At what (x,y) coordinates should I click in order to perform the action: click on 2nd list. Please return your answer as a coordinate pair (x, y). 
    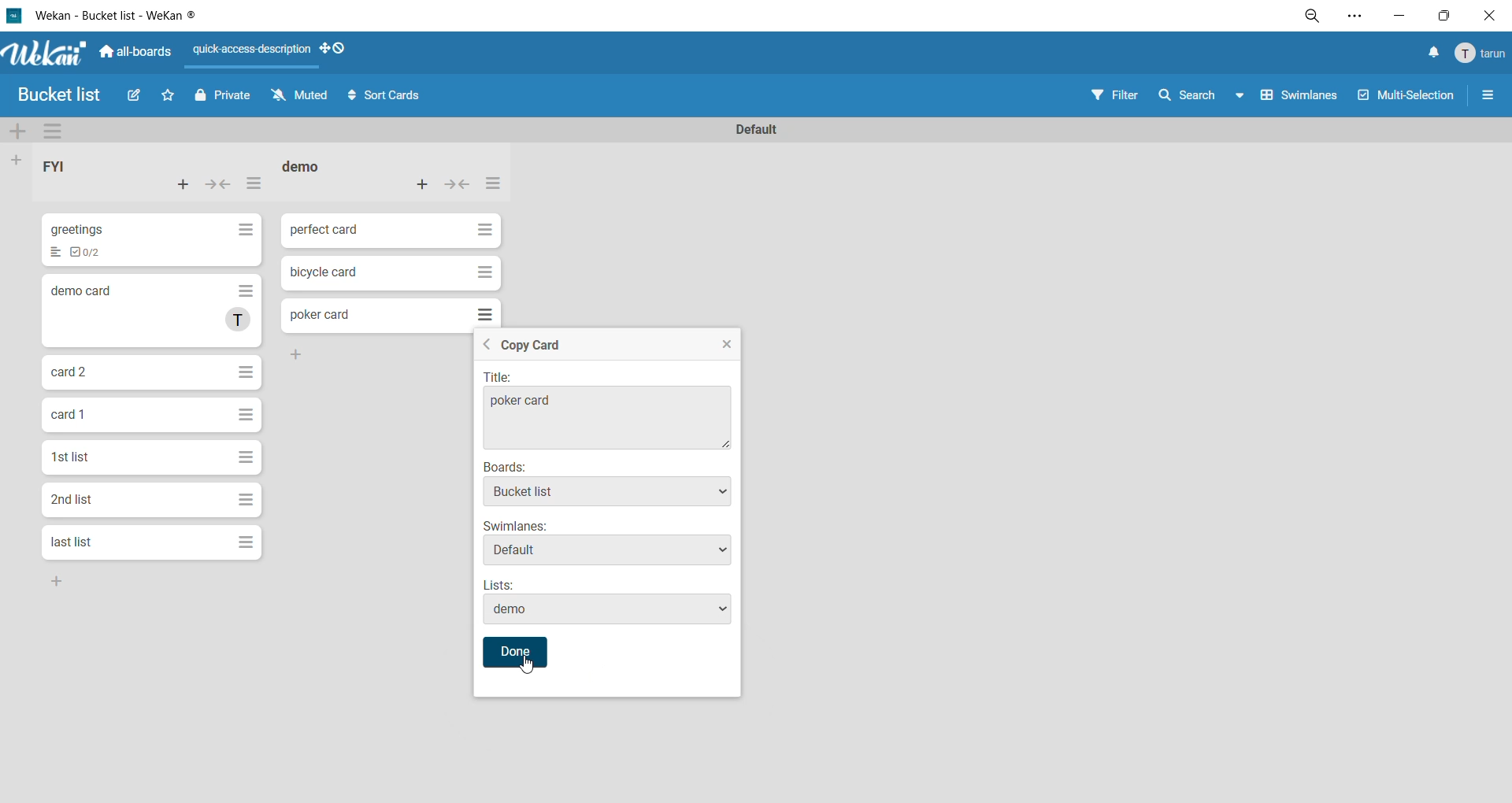
    Looking at the image, I should click on (69, 498).